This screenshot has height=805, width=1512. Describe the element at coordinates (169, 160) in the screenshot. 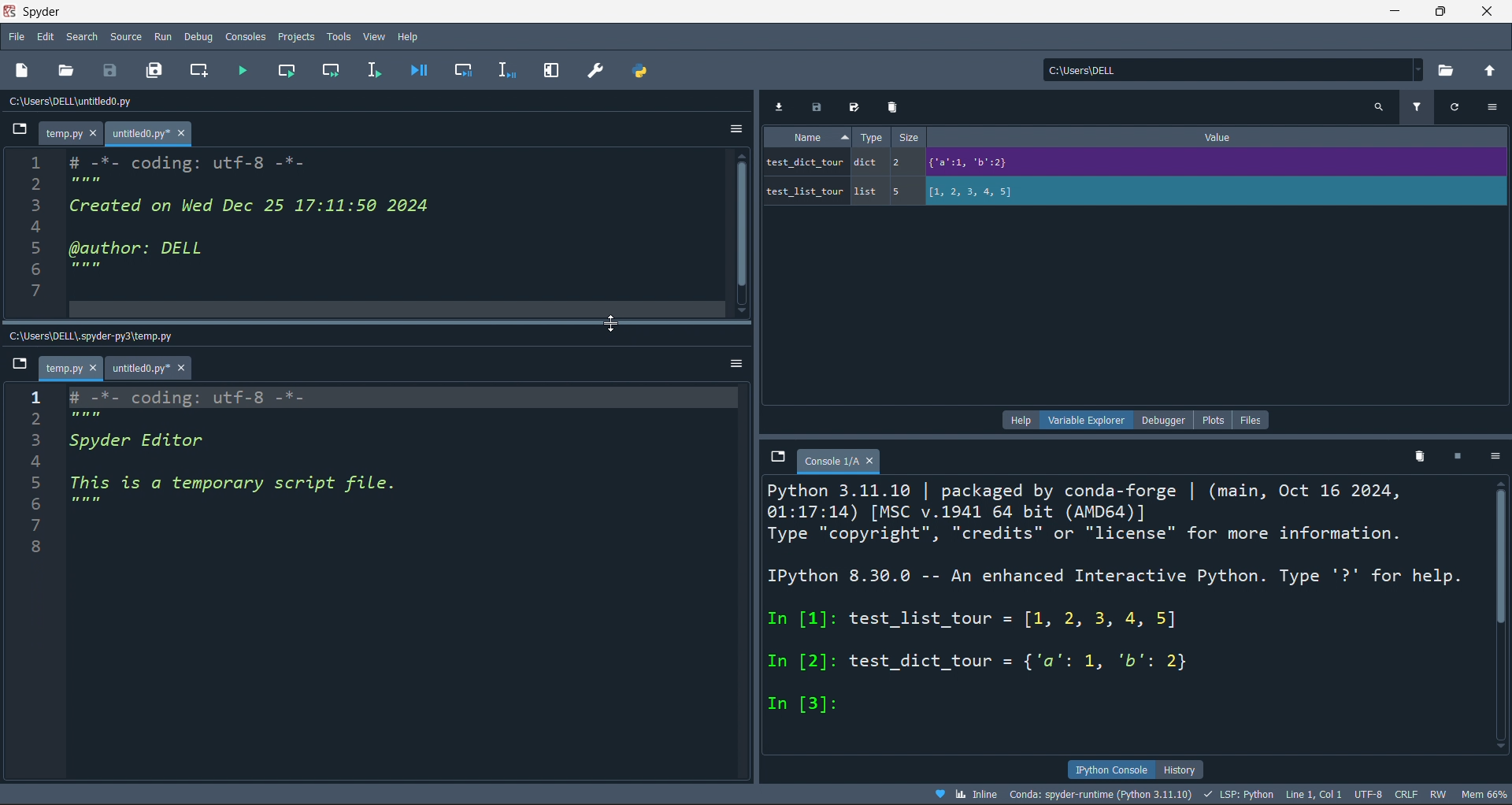

I see `1 # -*- coding: utf-8 -*-` at that location.